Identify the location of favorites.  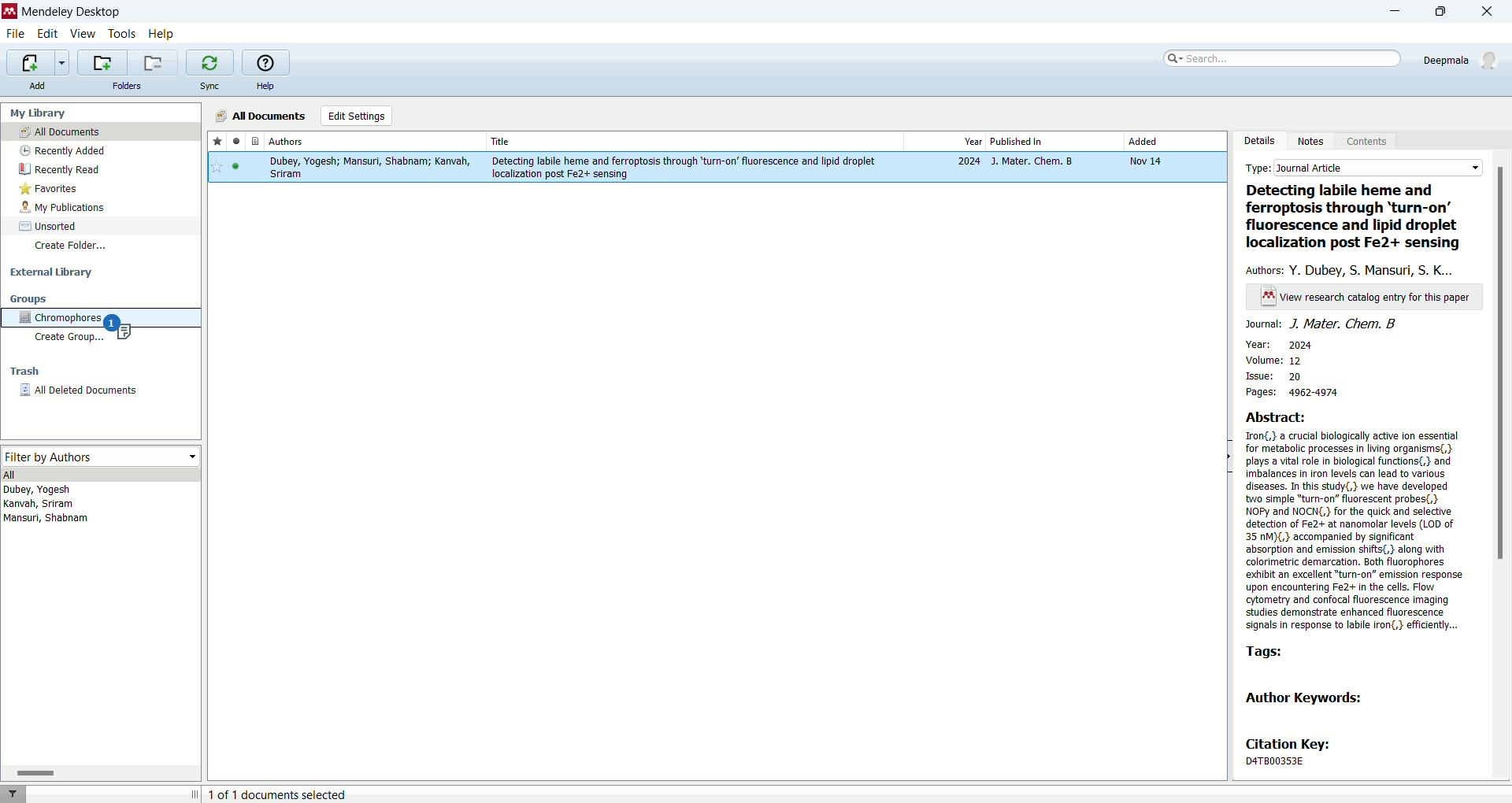
(49, 190).